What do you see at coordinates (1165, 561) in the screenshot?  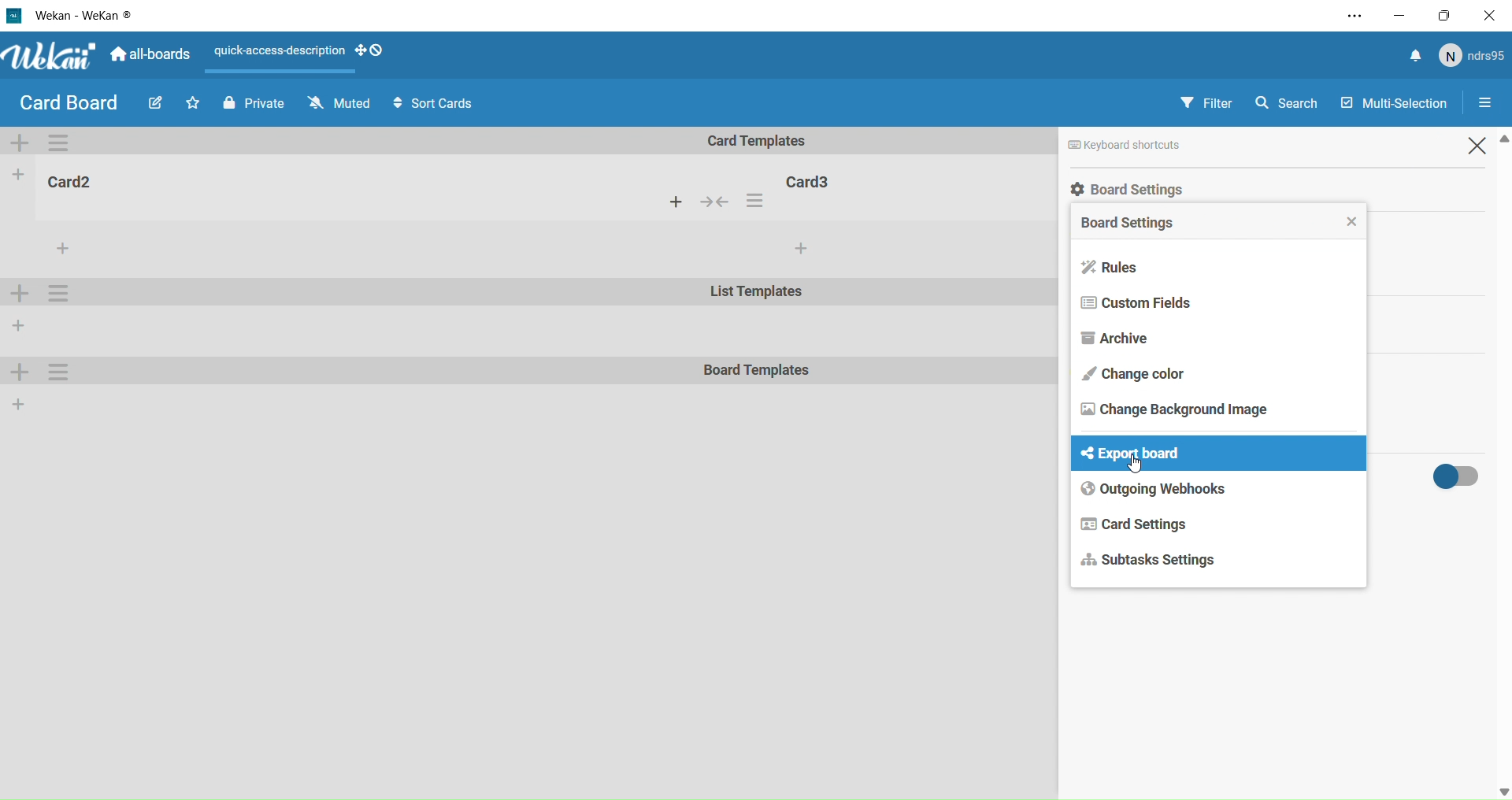 I see `Subtask settings` at bounding box center [1165, 561].